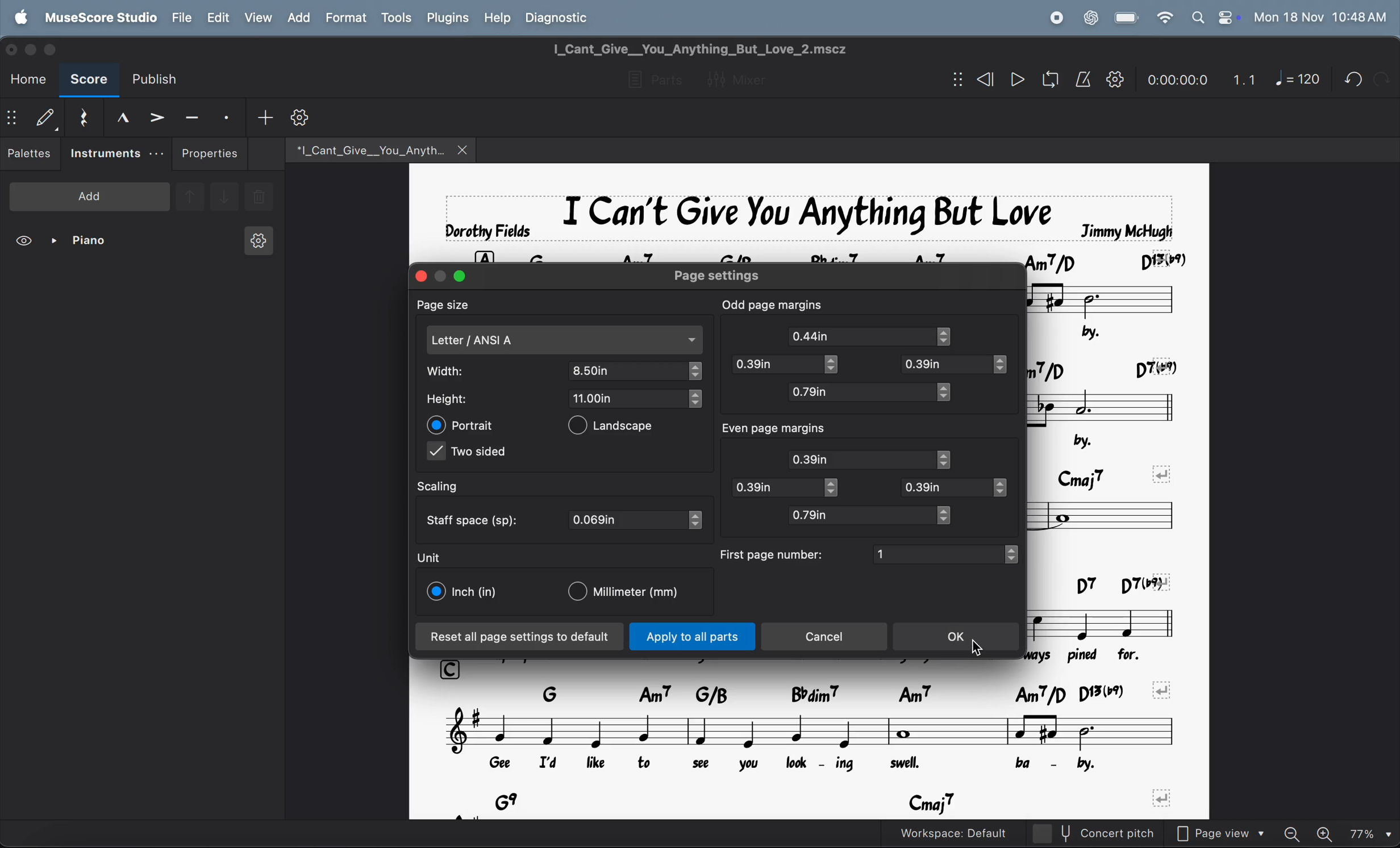 The height and width of the screenshot is (848, 1400). What do you see at coordinates (837, 802) in the screenshot?
I see `chord symbols` at bounding box center [837, 802].